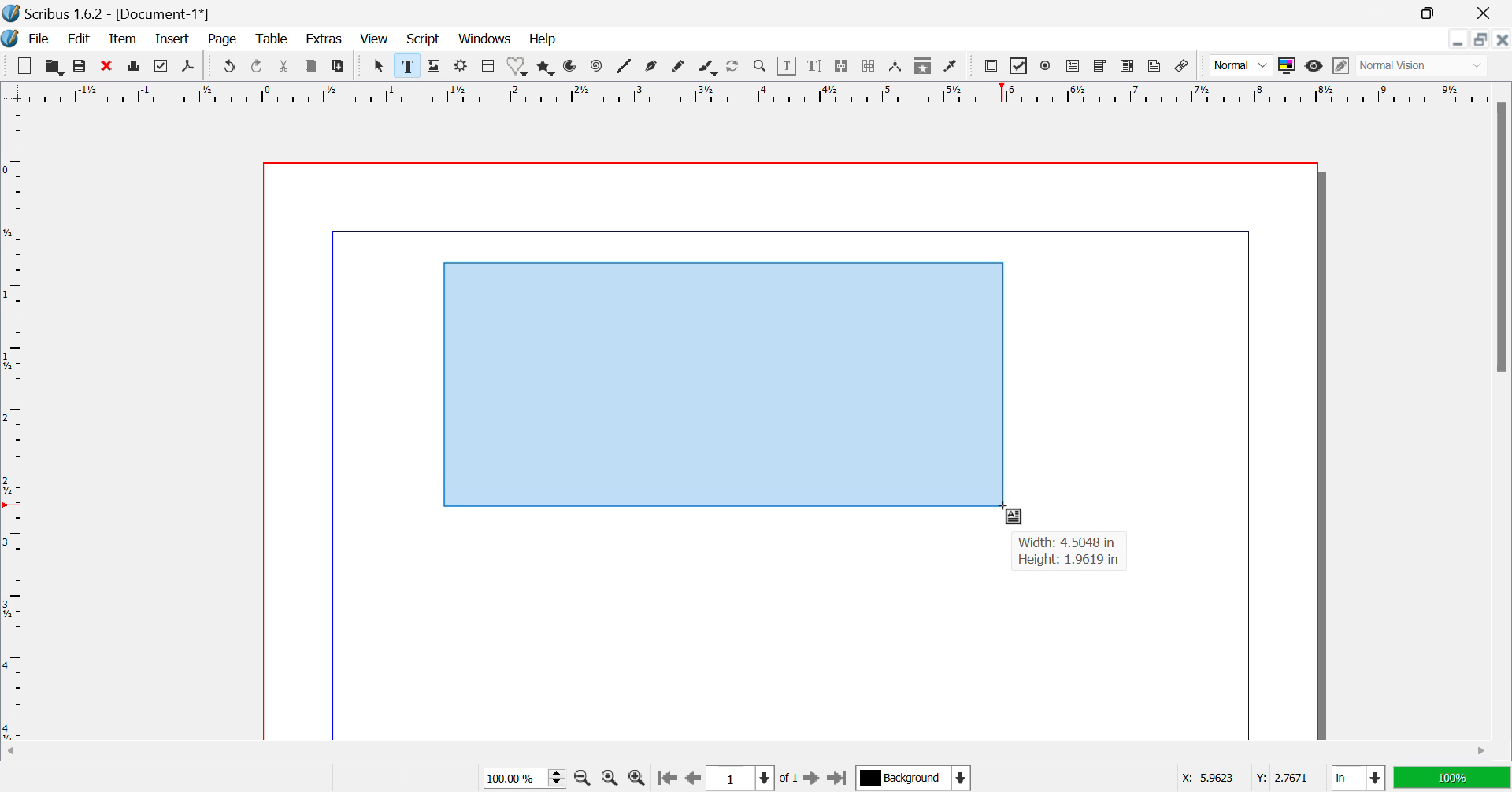 Image resolution: width=1512 pixels, height=792 pixels. I want to click on Copy, so click(312, 66).